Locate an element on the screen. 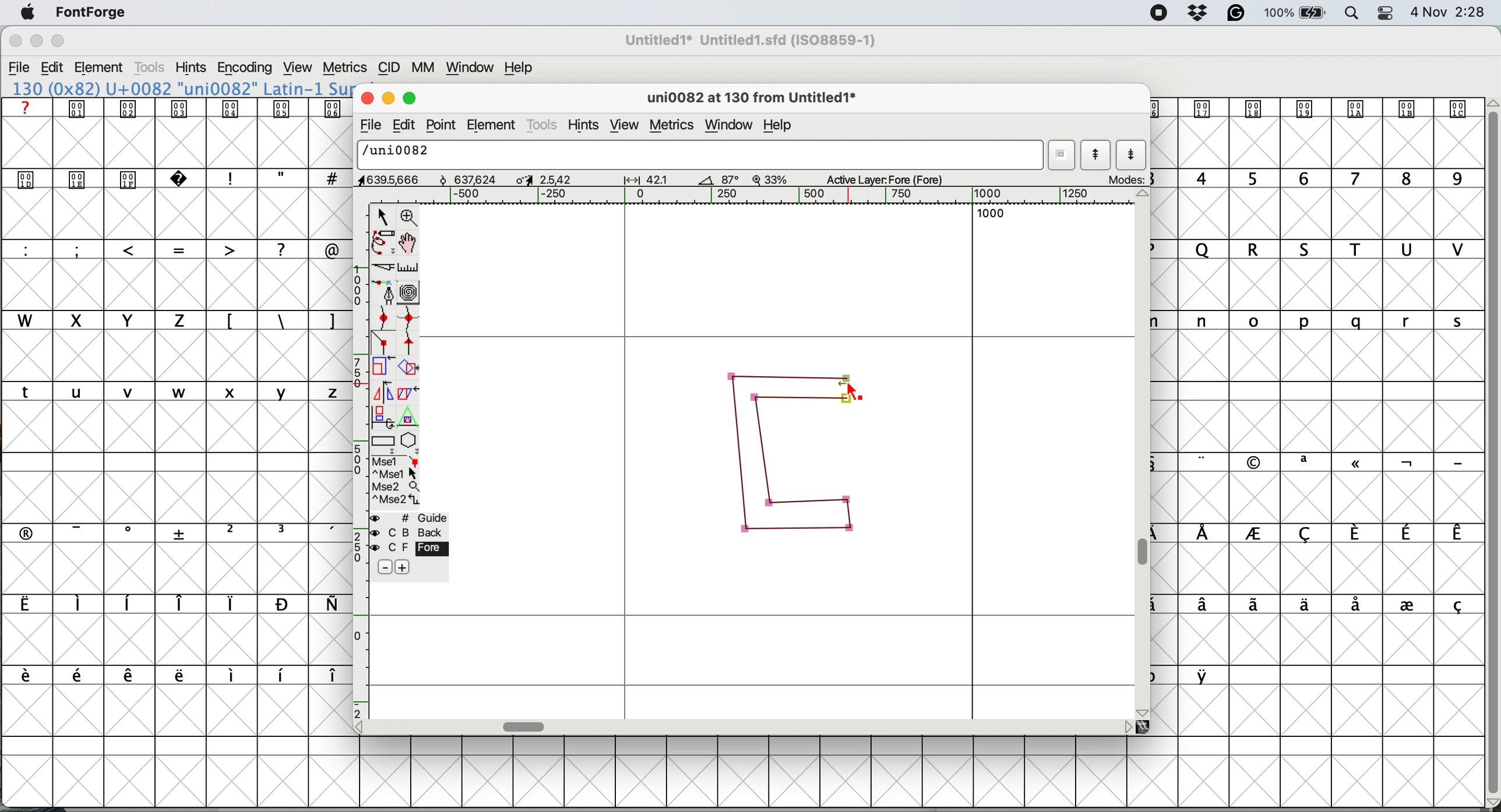 Image resolution: width=1501 pixels, height=812 pixels. rotate the selection in 3d and project back to plane is located at coordinates (382, 416).